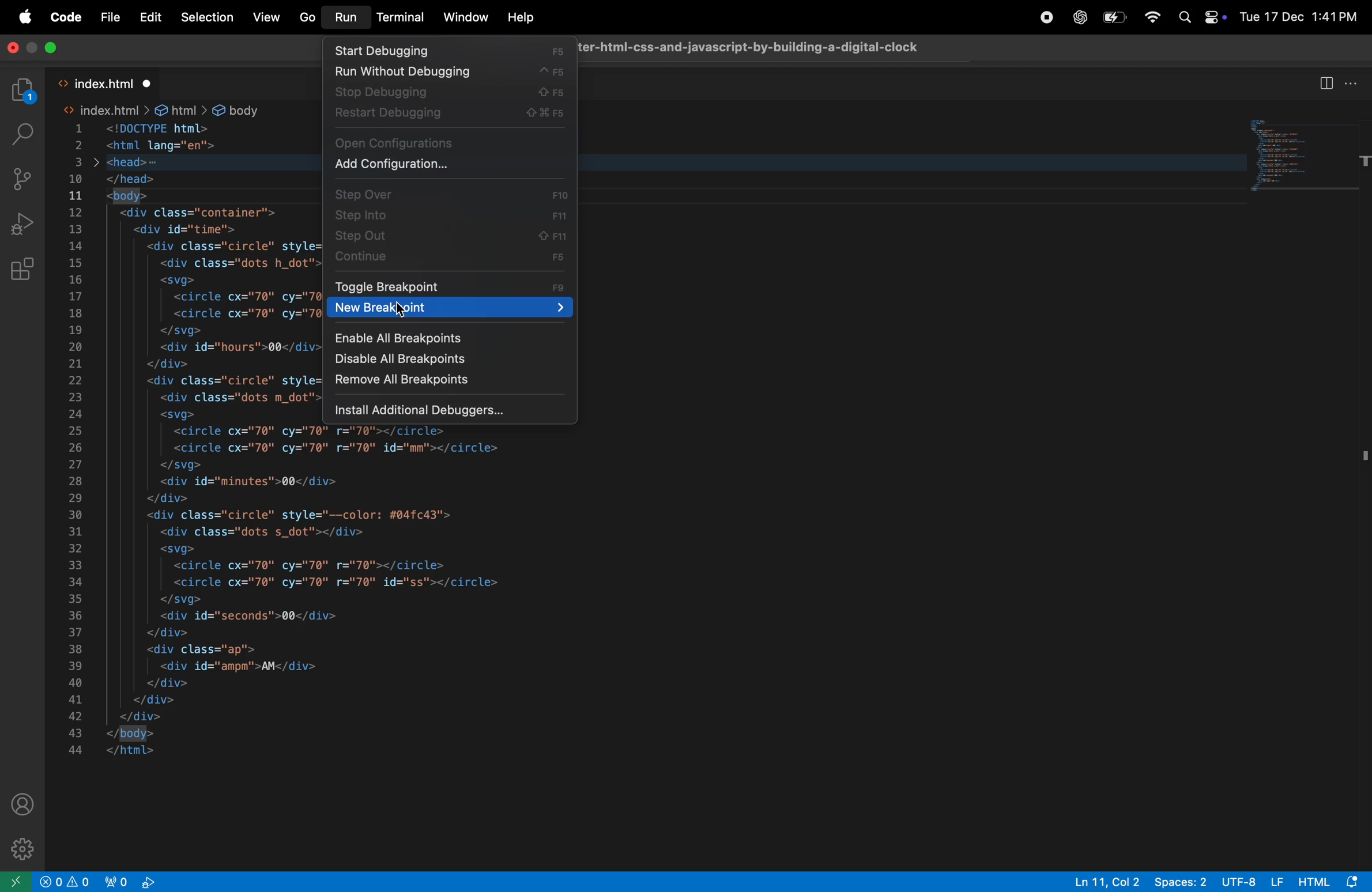  What do you see at coordinates (33, 50) in the screenshot?
I see `Minimize` at bounding box center [33, 50].